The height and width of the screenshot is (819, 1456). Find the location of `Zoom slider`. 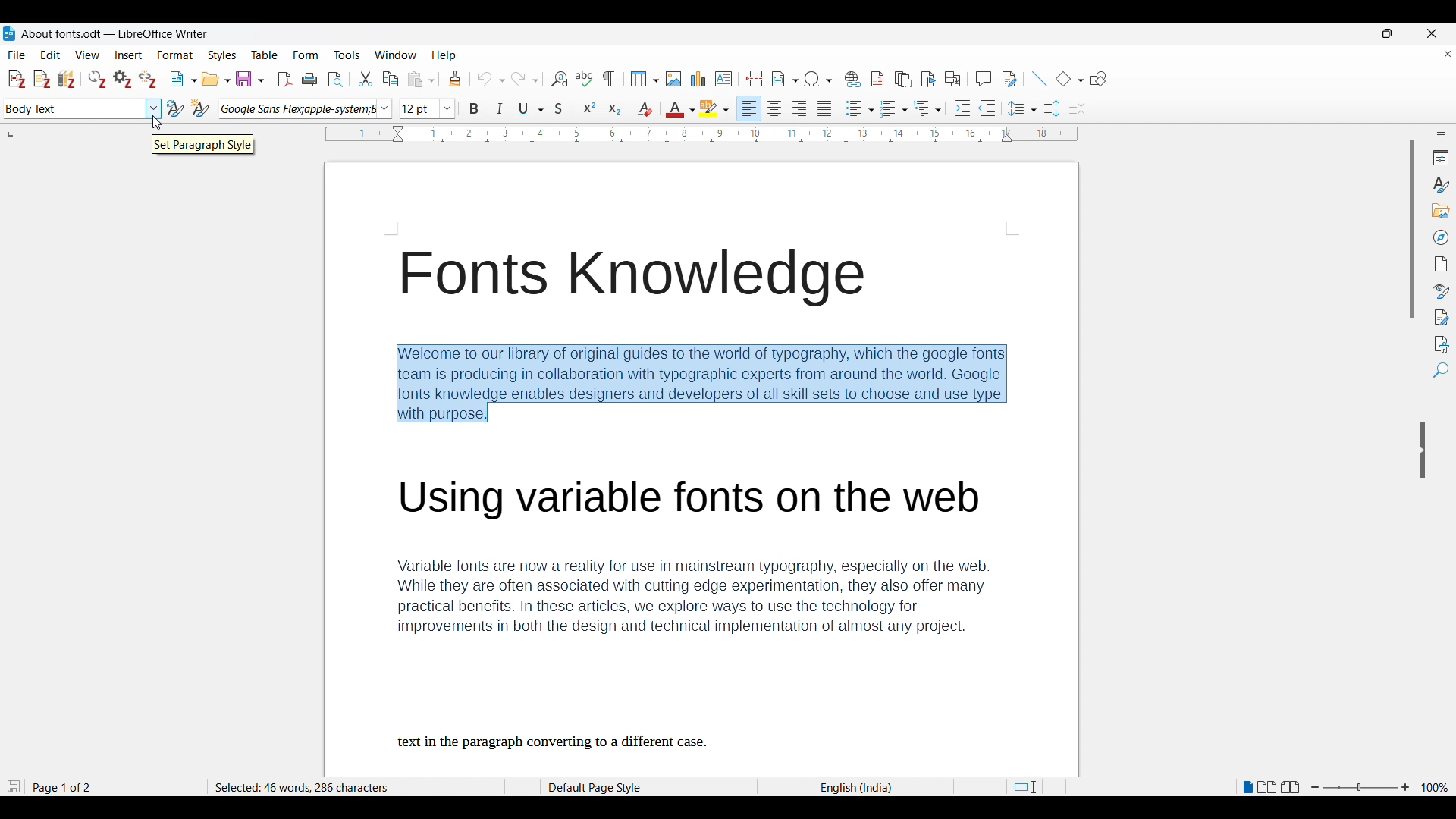

Zoom slider is located at coordinates (1360, 786).